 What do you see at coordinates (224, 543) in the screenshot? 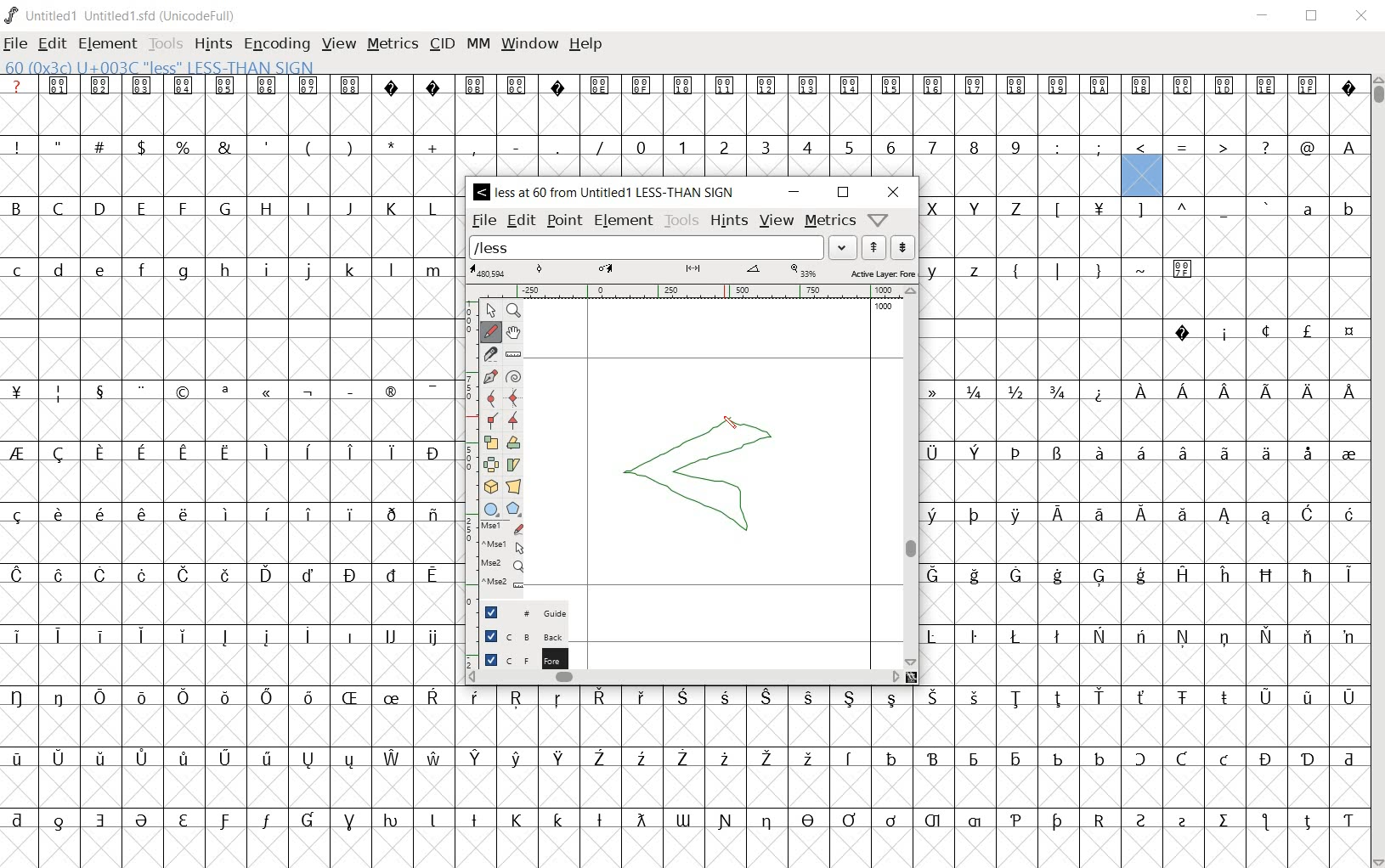
I see `empty cells` at bounding box center [224, 543].